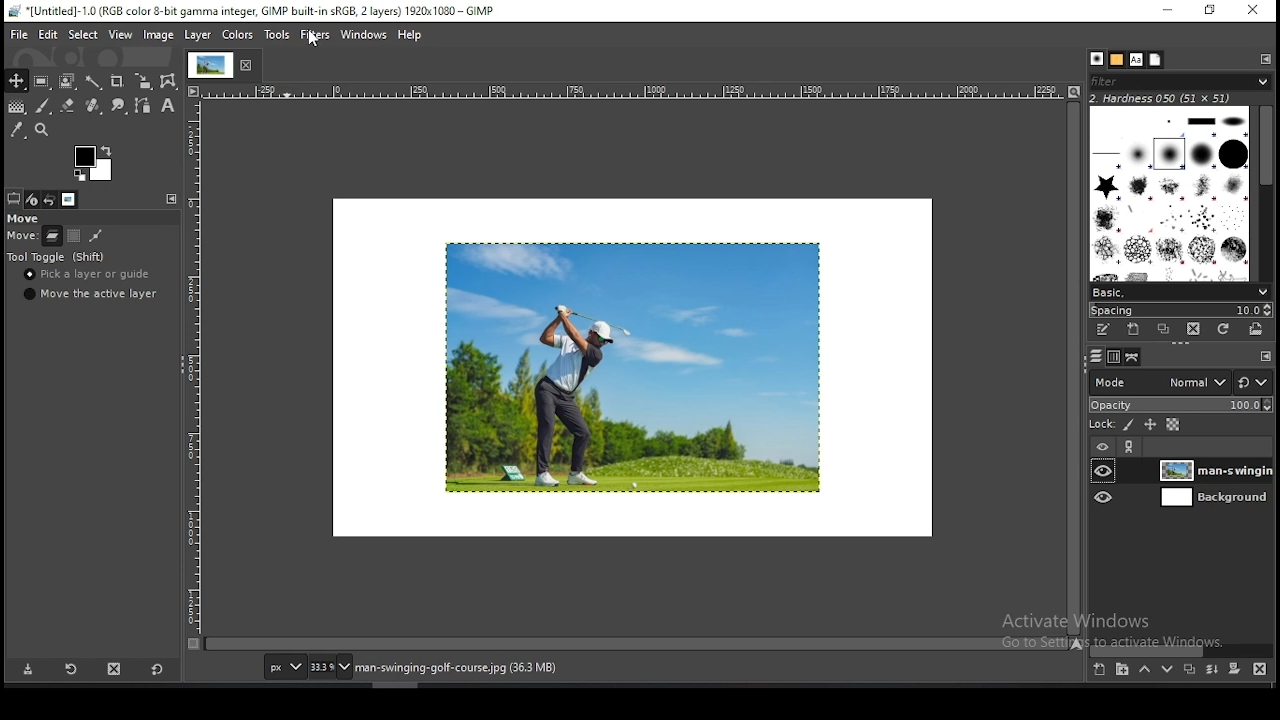 The height and width of the screenshot is (720, 1280). I want to click on windows, so click(364, 35).